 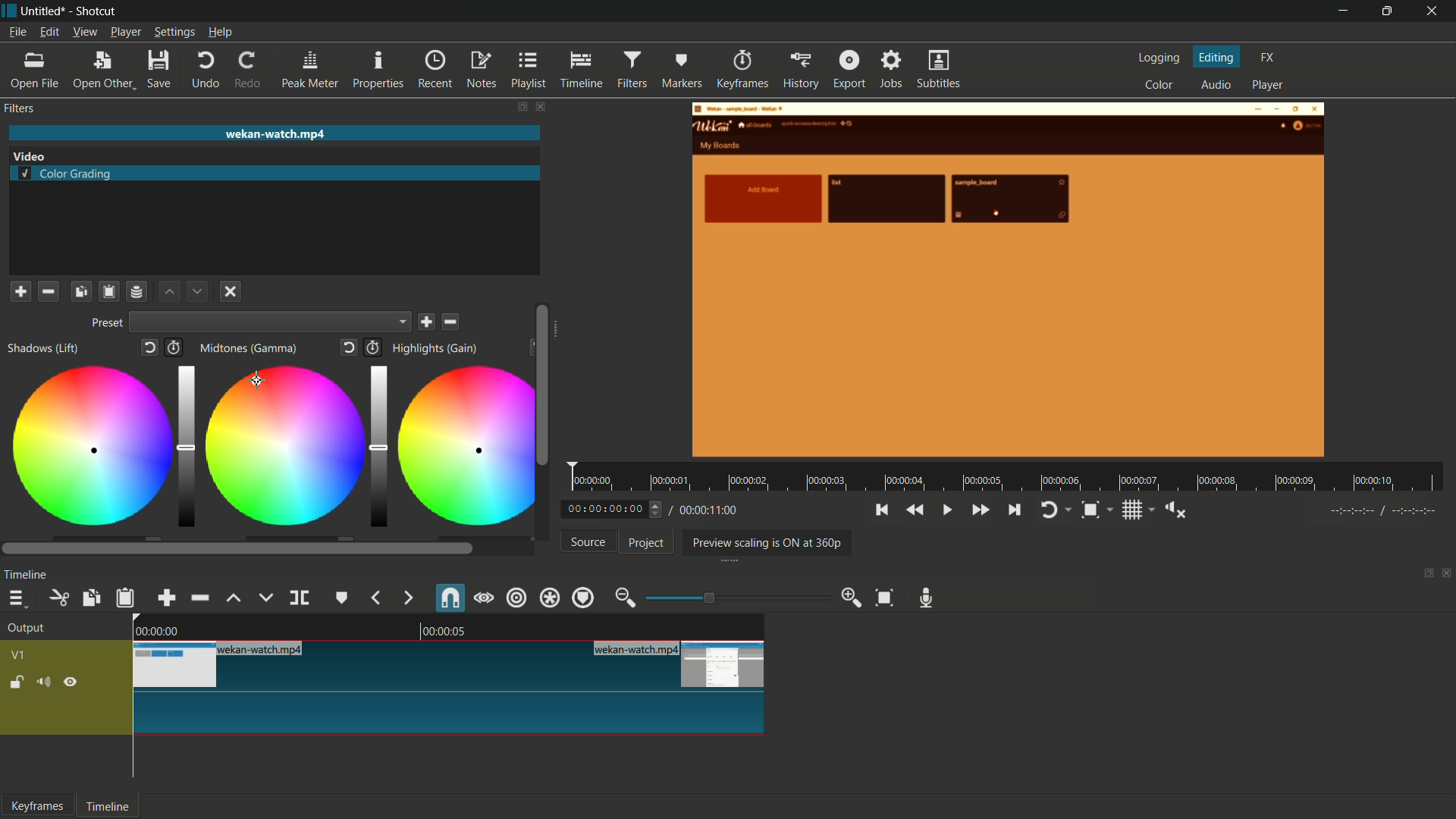 I want to click on hide, so click(x=72, y=684).